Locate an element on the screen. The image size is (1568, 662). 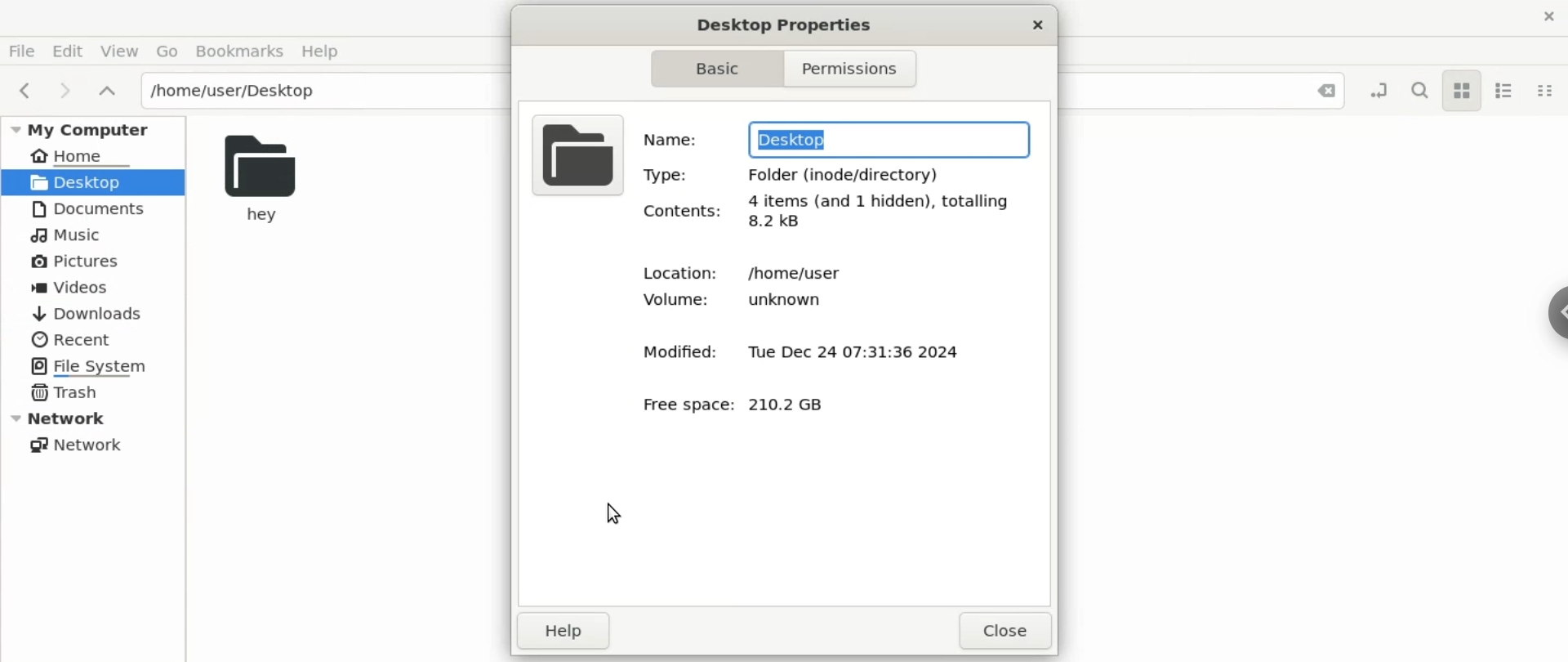
trash is located at coordinates (65, 391).